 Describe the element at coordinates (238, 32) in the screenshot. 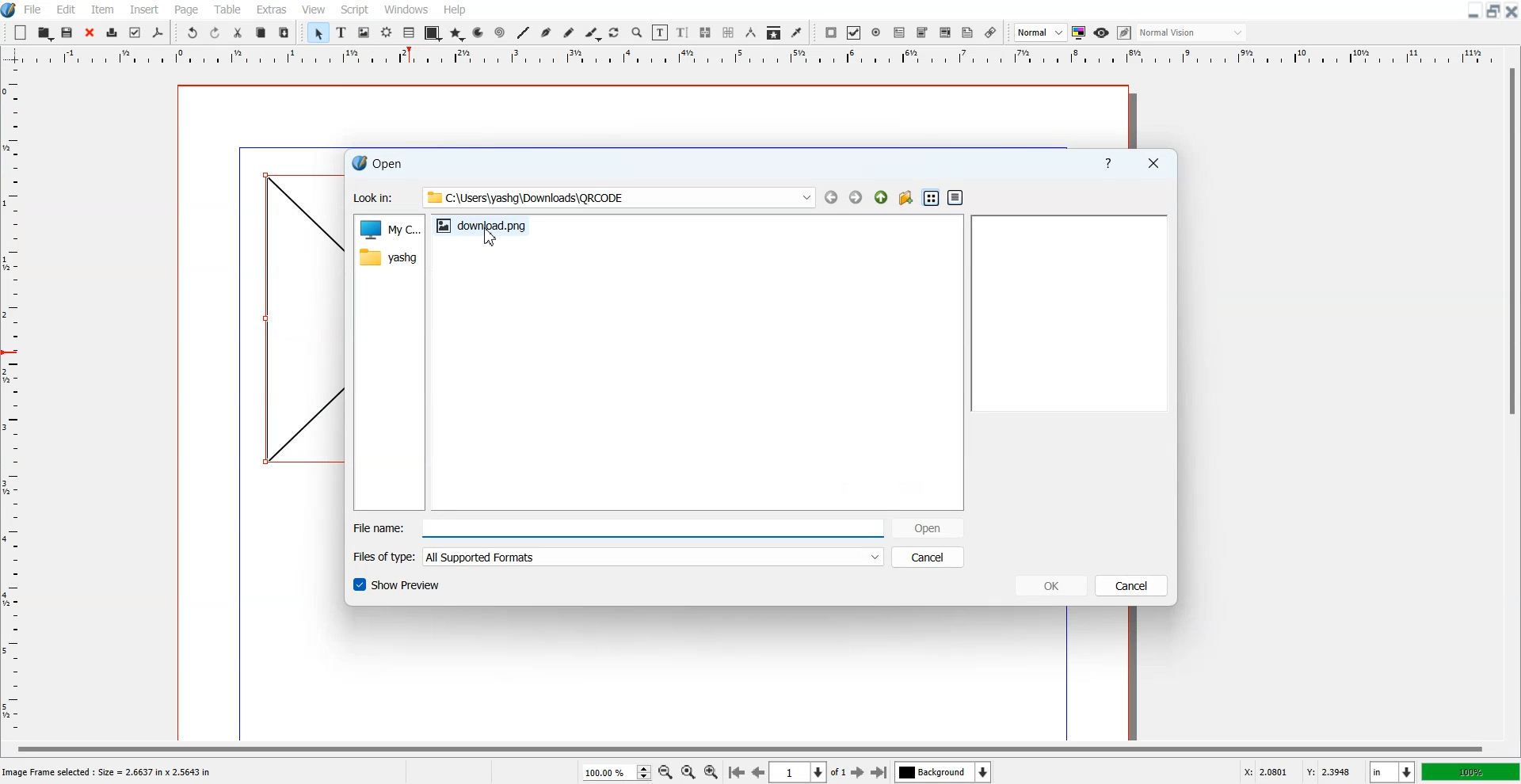

I see `Cut` at that location.